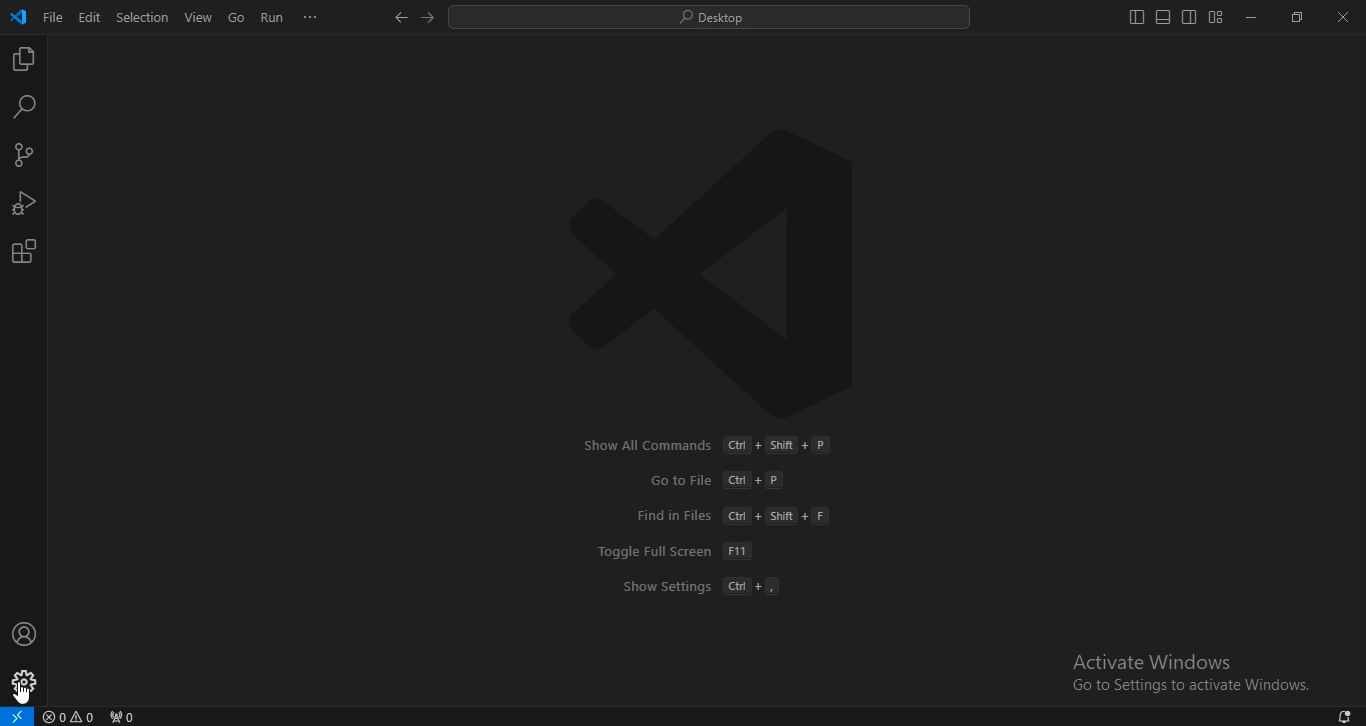 The width and height of the screenshot is (1366, 726). What do you see at coordinates (25, 251) in the screenshot?
I see `extension` at bounding box center [25, 251].